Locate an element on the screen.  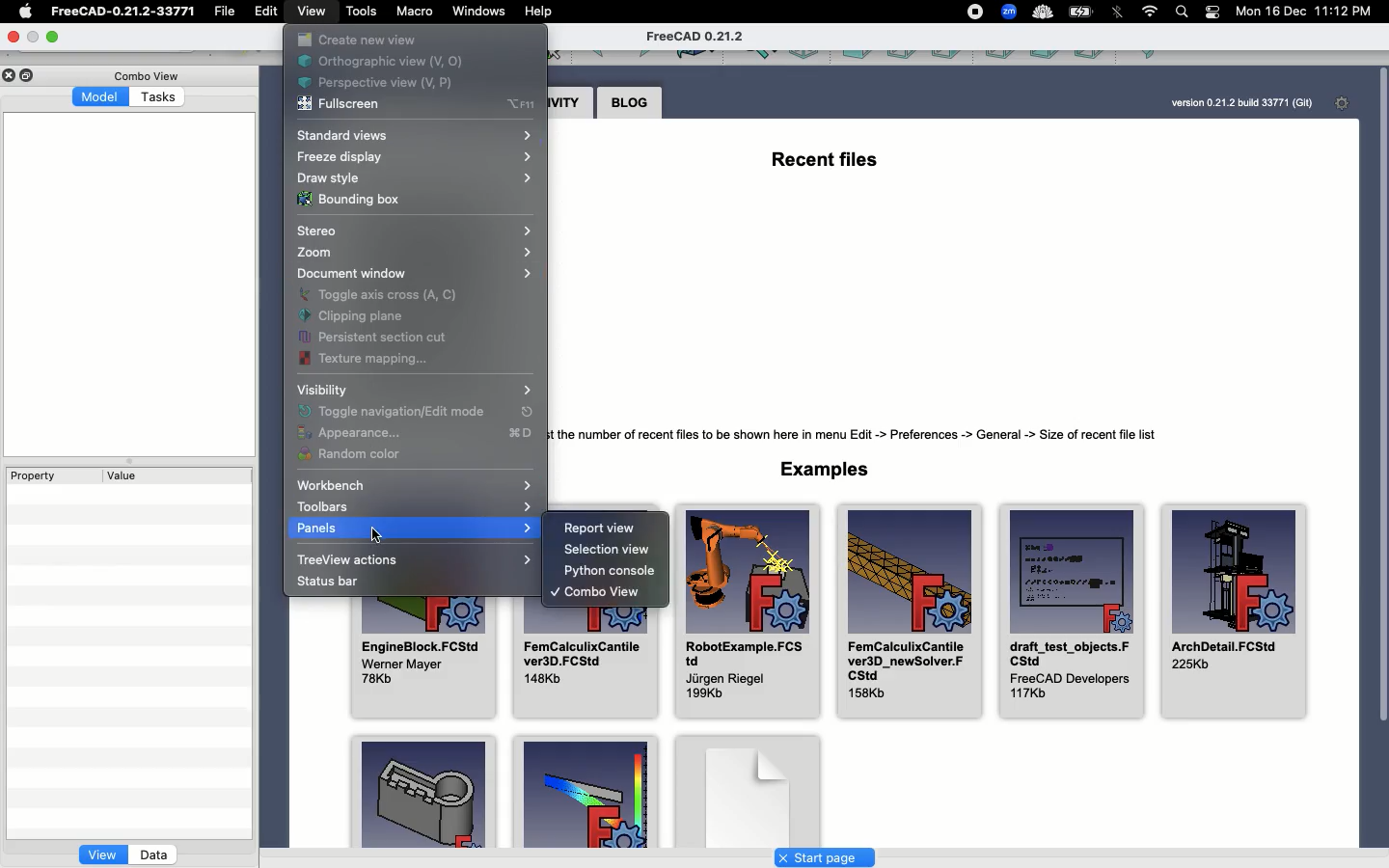
Window is located at coordinates (477, 13).